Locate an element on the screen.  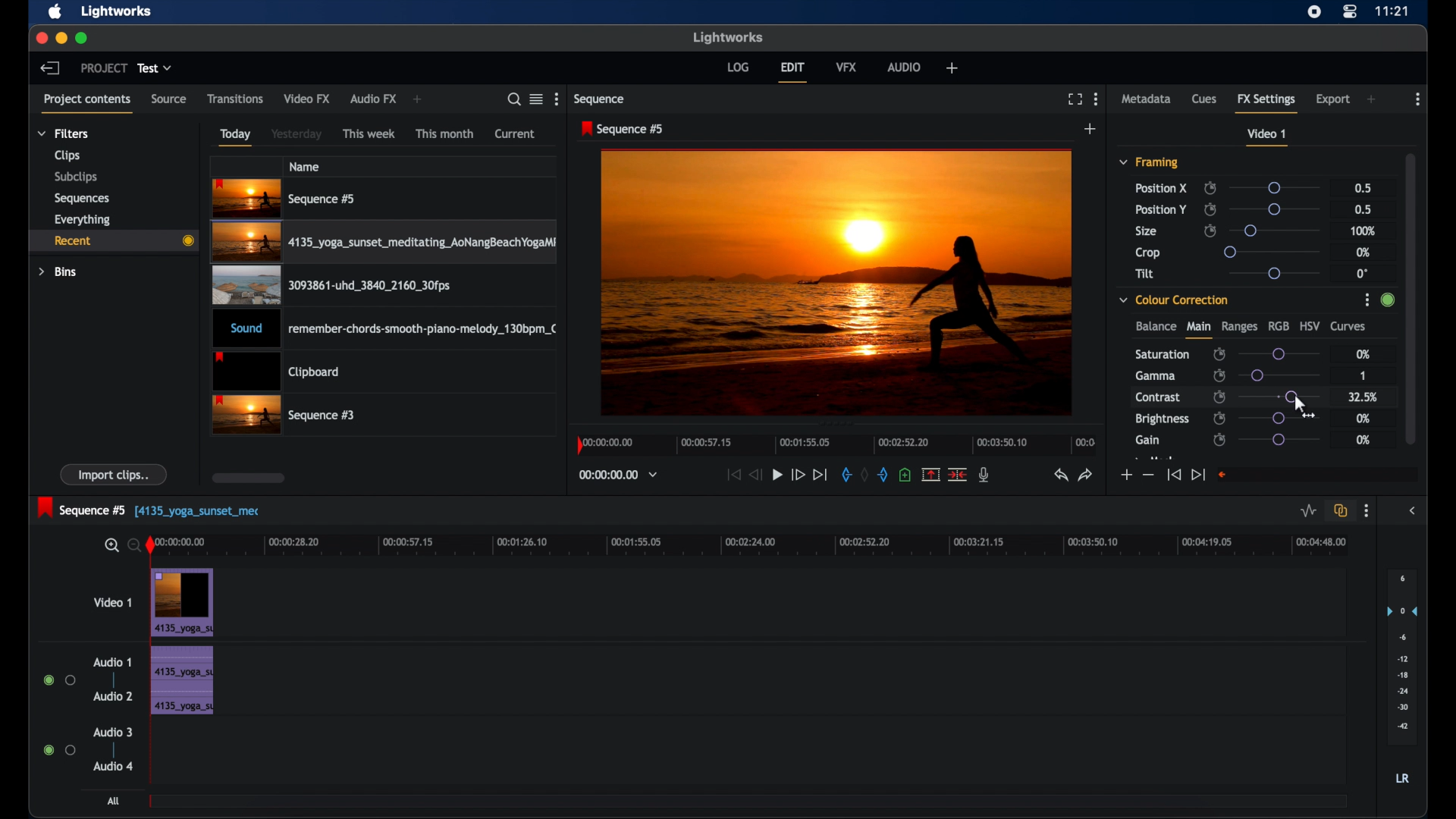
timecodesand reels is located at coordinates (619, 475).